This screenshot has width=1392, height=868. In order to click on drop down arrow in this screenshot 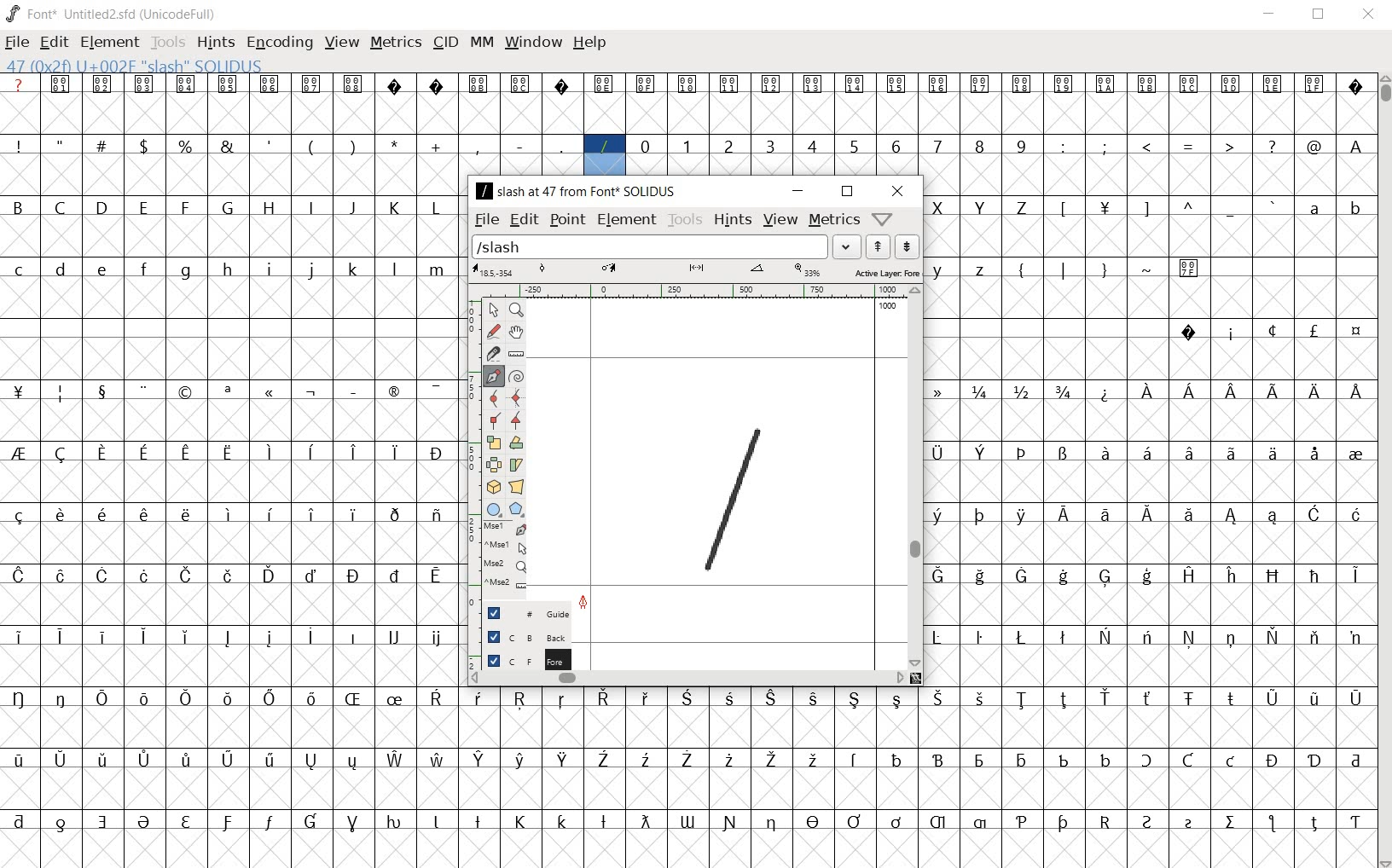, I will do `click(846, 247)`.